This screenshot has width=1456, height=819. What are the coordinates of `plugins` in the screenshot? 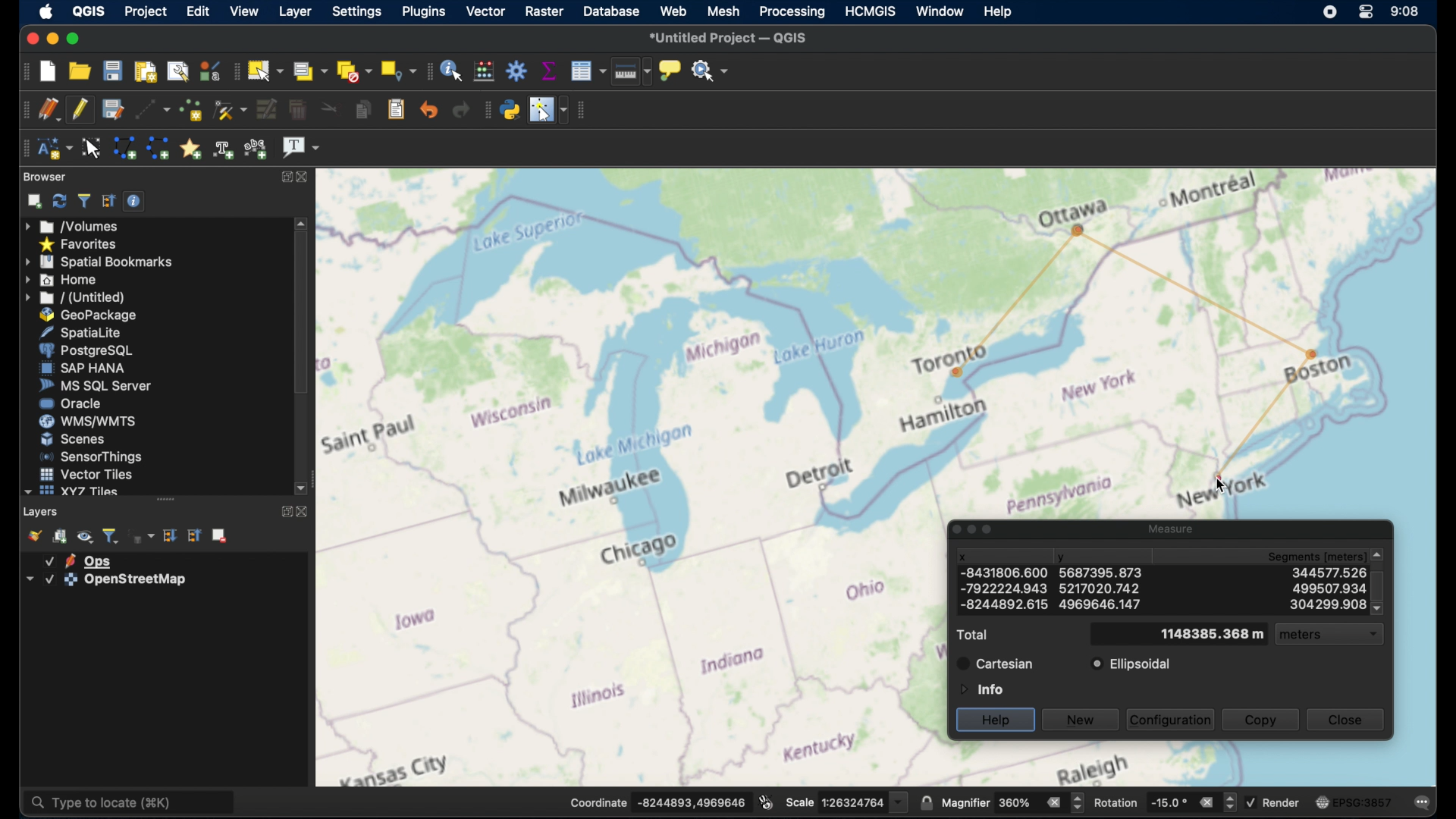 It's located at (422, 12).